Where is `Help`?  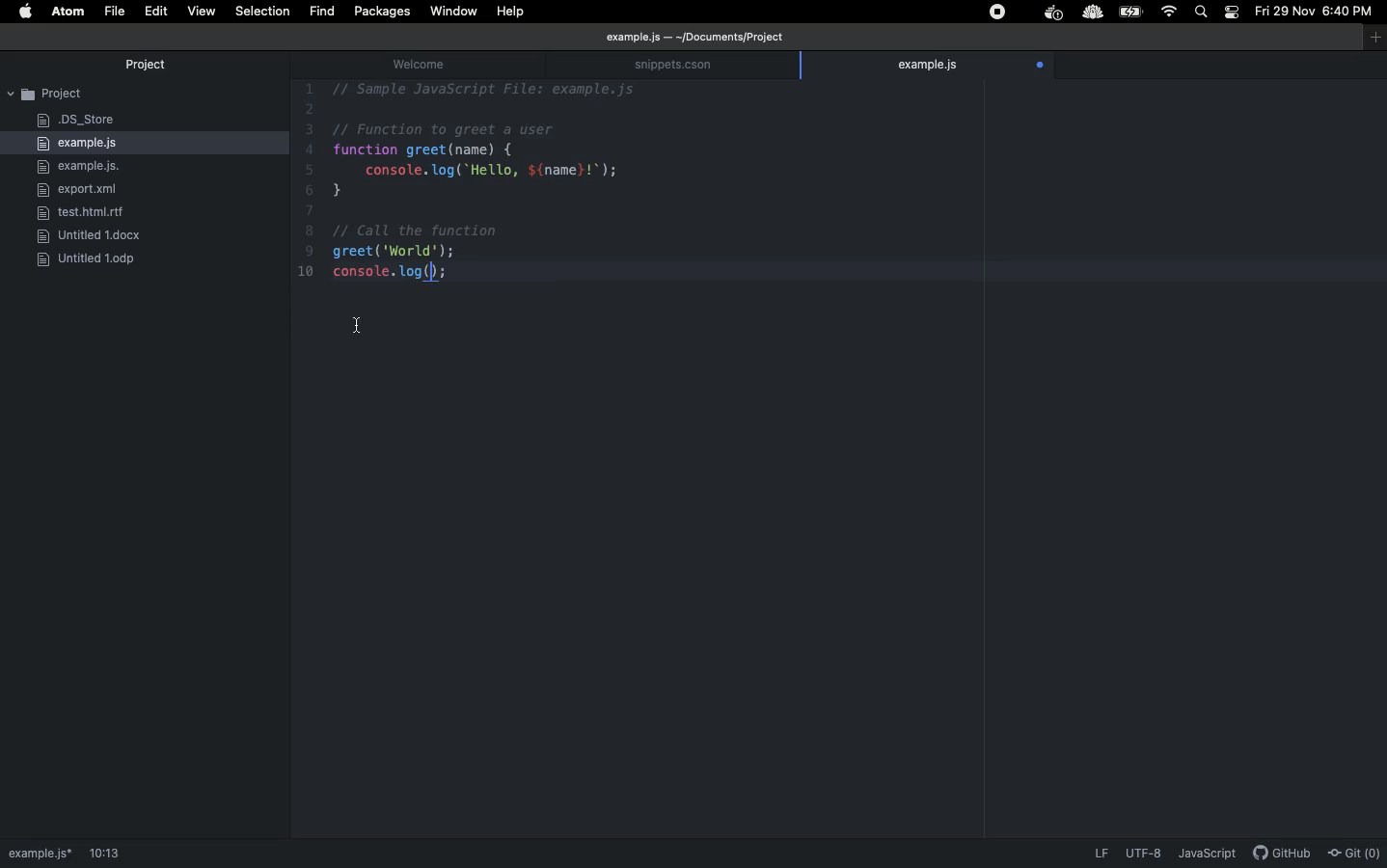
Help is located at coordinates (511, 11).